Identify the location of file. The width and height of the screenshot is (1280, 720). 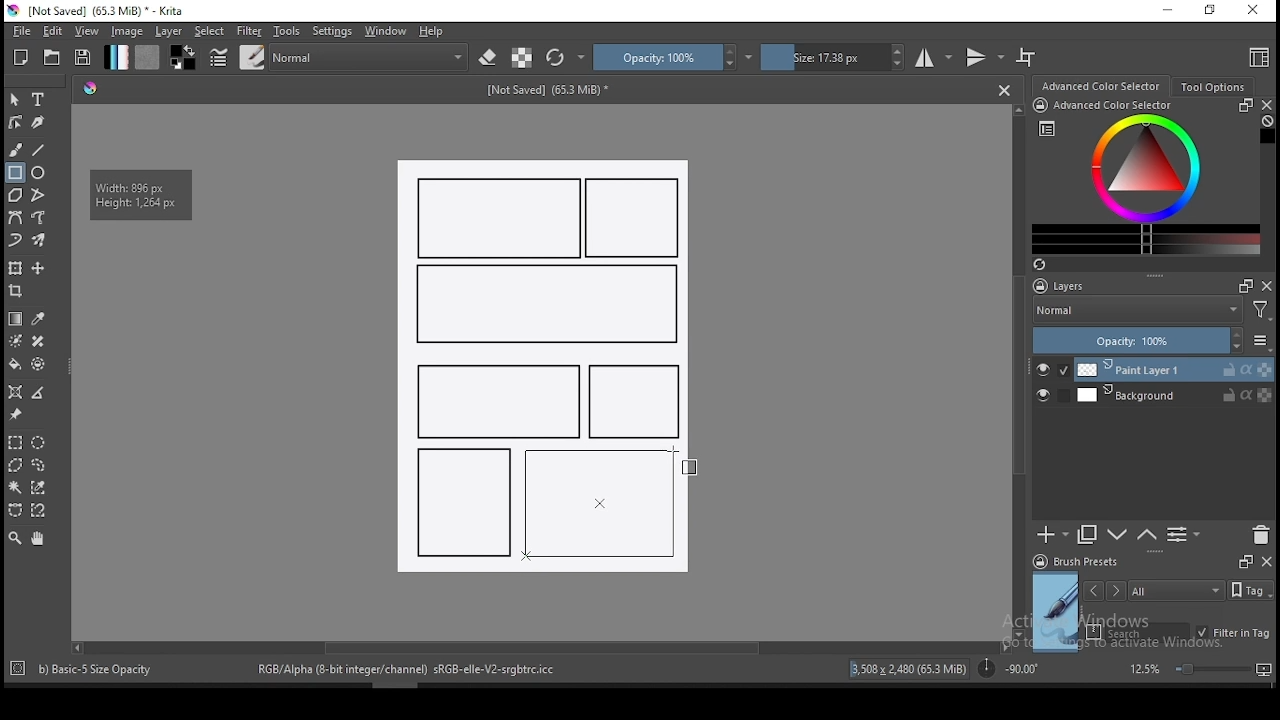
(21, 31).